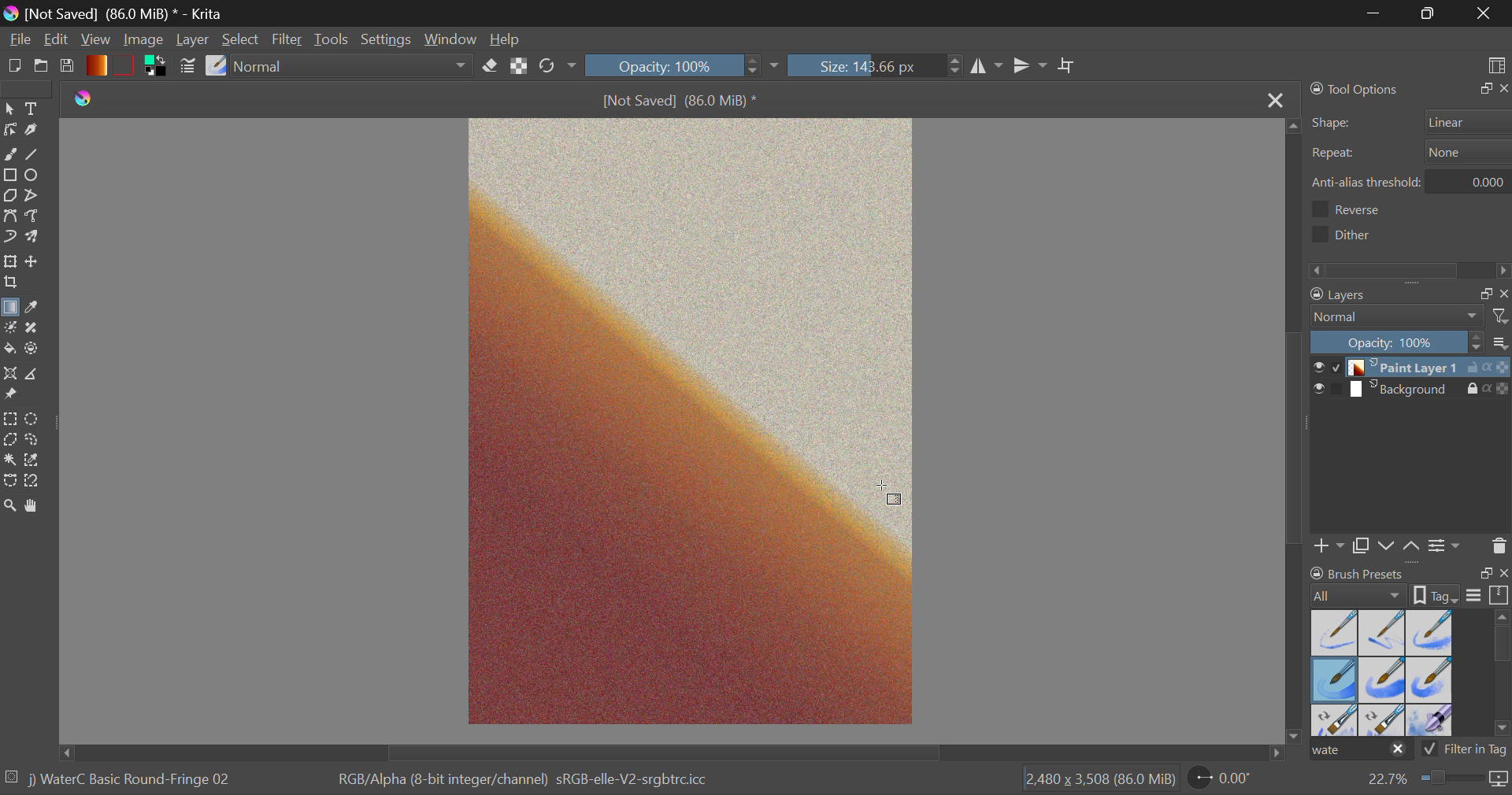 The image size is (1512, 795). What do you see at coordinates (37, 153) in the screenshot?
I see `Line` at bounding box center [37, 153].